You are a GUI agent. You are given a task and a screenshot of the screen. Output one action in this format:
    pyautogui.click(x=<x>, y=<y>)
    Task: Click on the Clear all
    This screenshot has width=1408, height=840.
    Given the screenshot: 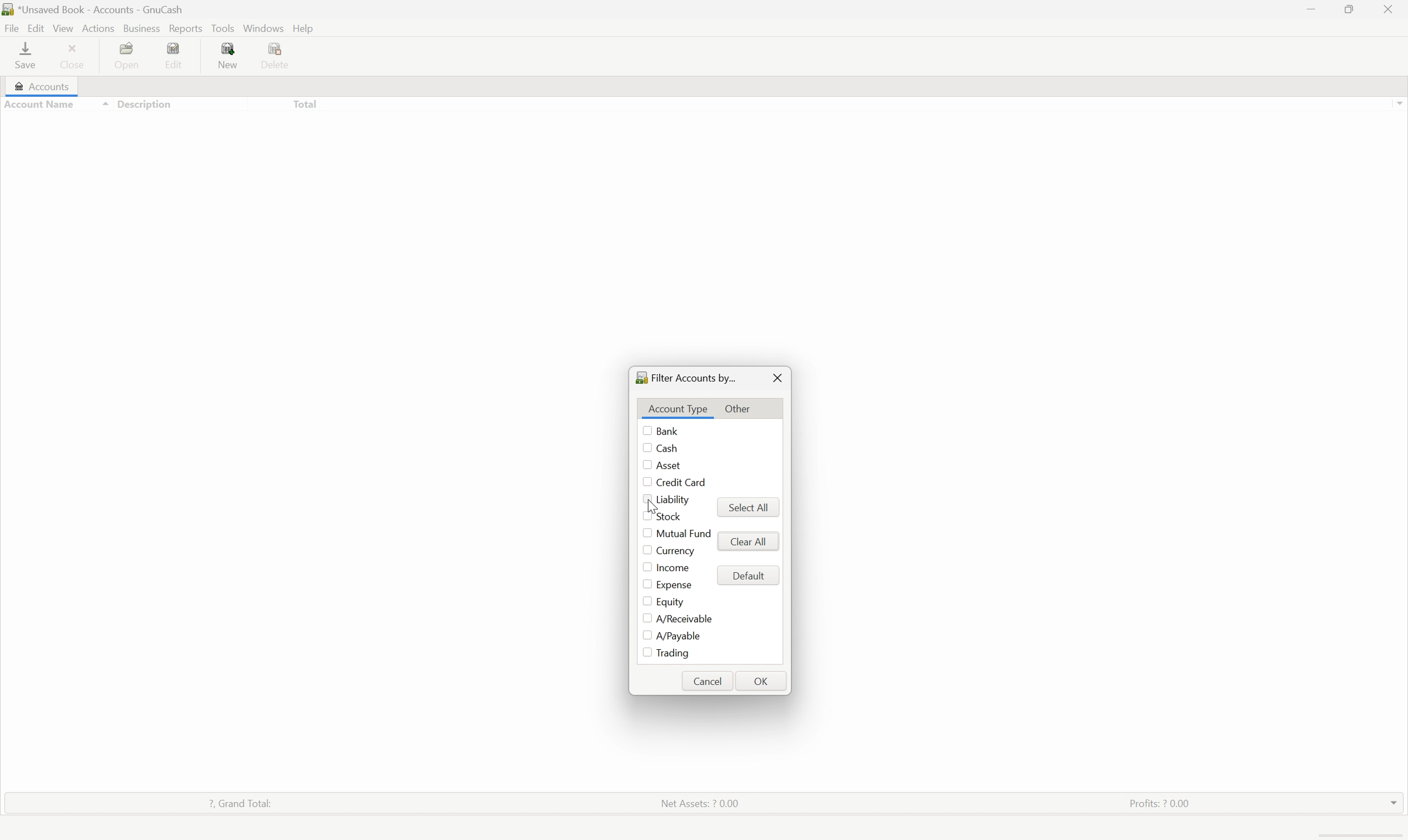 What is the action you would take?
    pyautogui.click(x=747, y=541)
    